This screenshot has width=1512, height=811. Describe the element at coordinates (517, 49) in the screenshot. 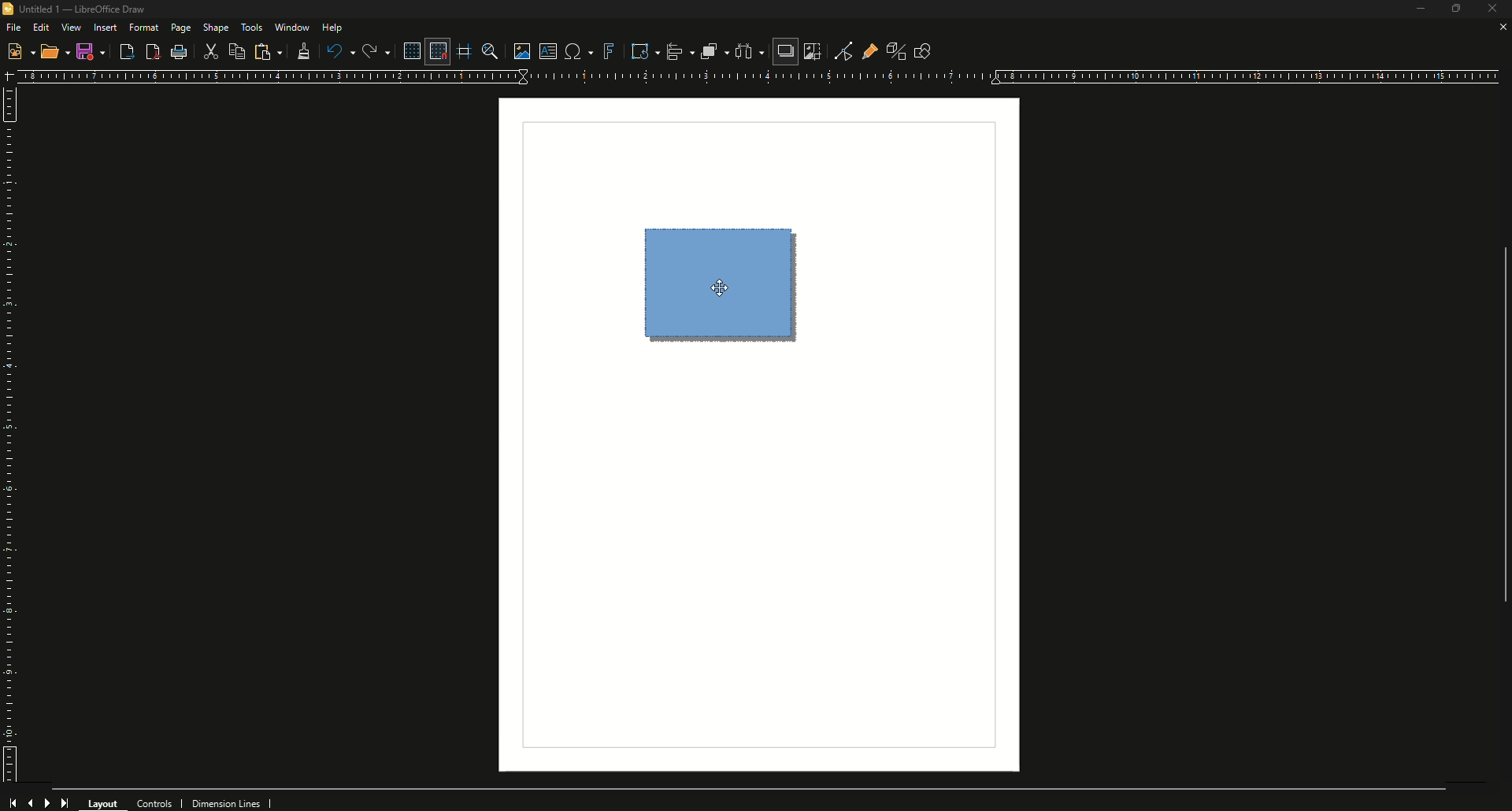

I see `Insert Image` at that location.